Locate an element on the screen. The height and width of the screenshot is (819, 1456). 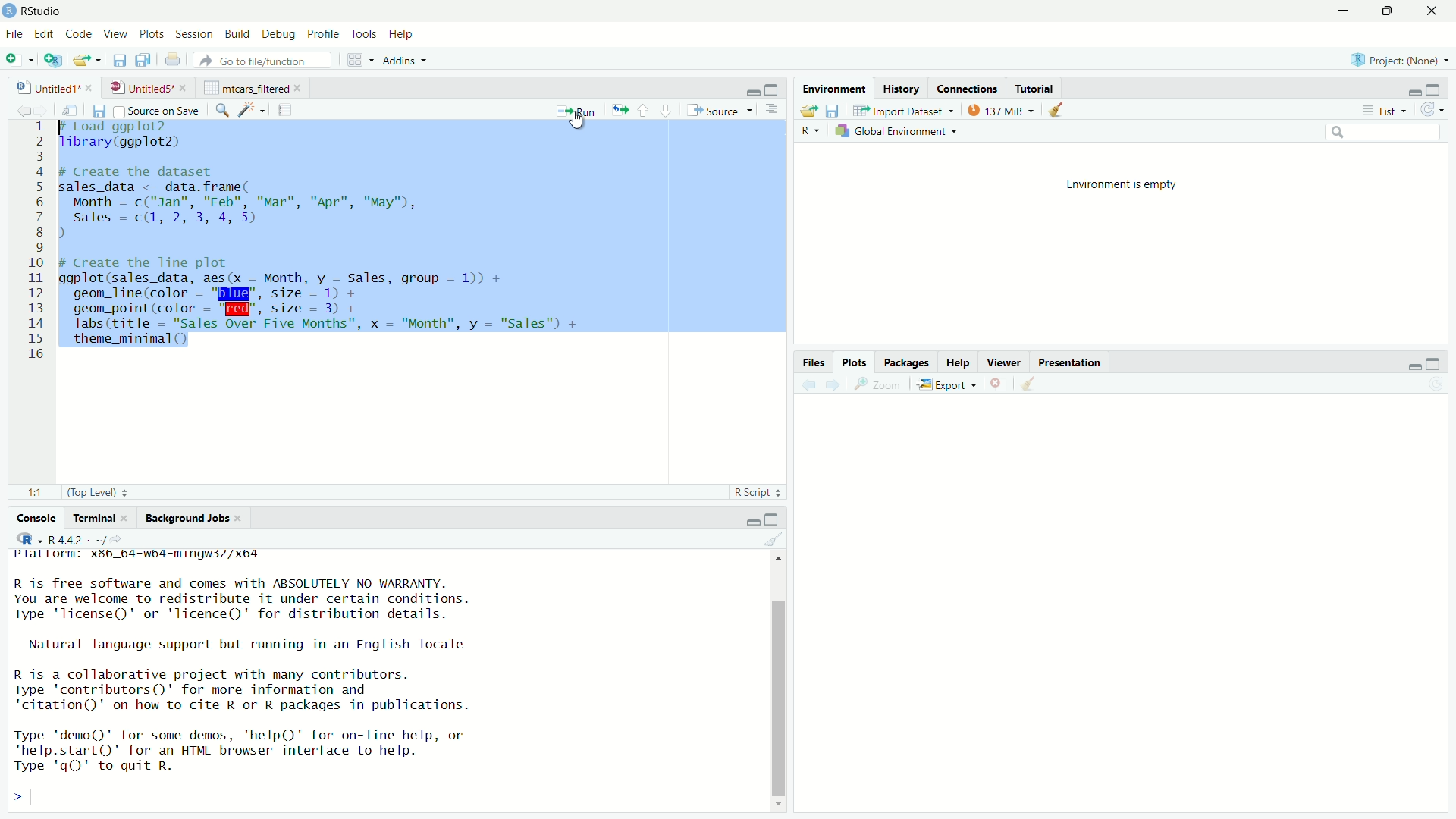
maximize is located at coordinates (772, 520).